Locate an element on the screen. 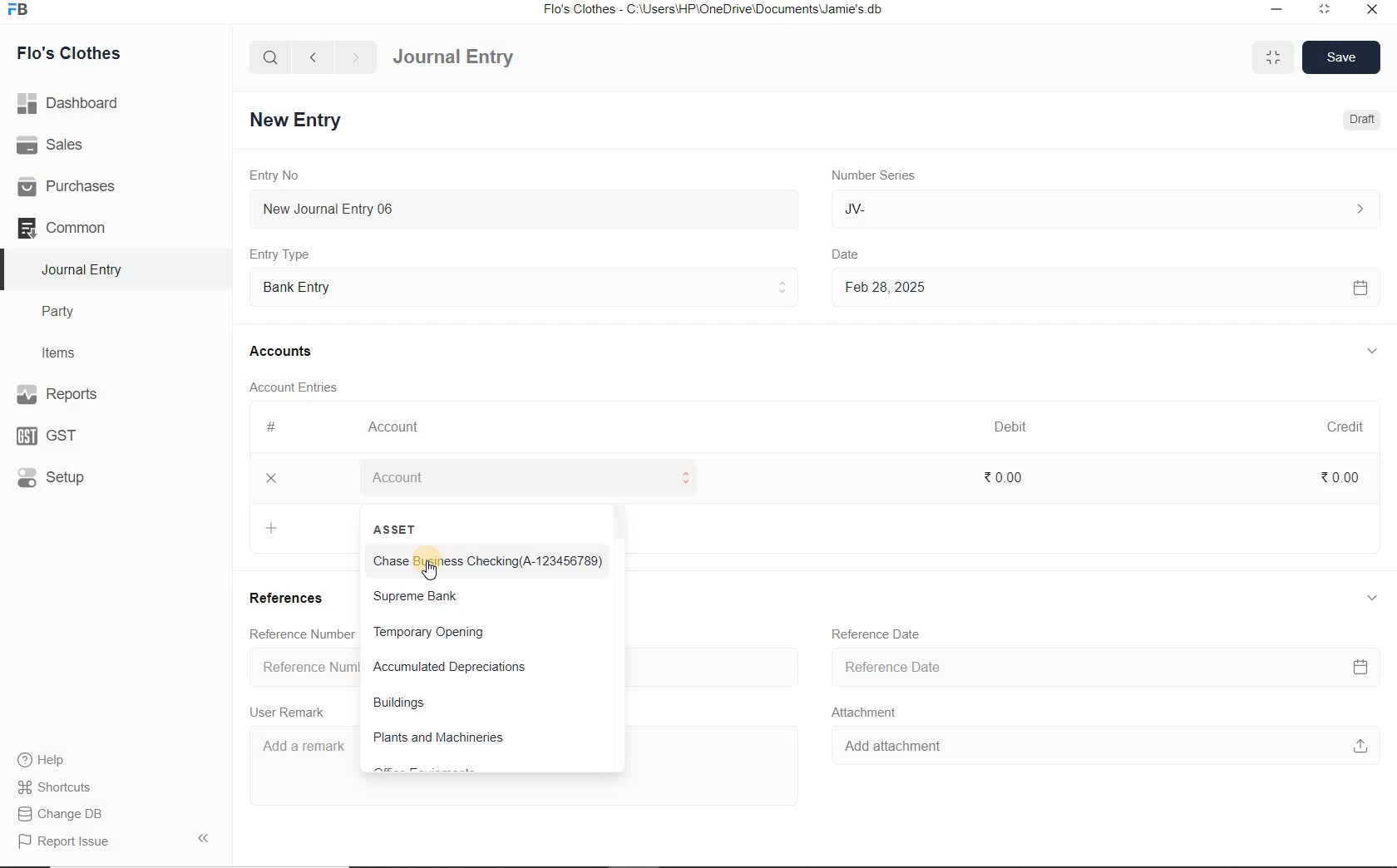 The width and height of the screenshot is (1397, 868). Journal Entry is located at coordinates (483, 55).